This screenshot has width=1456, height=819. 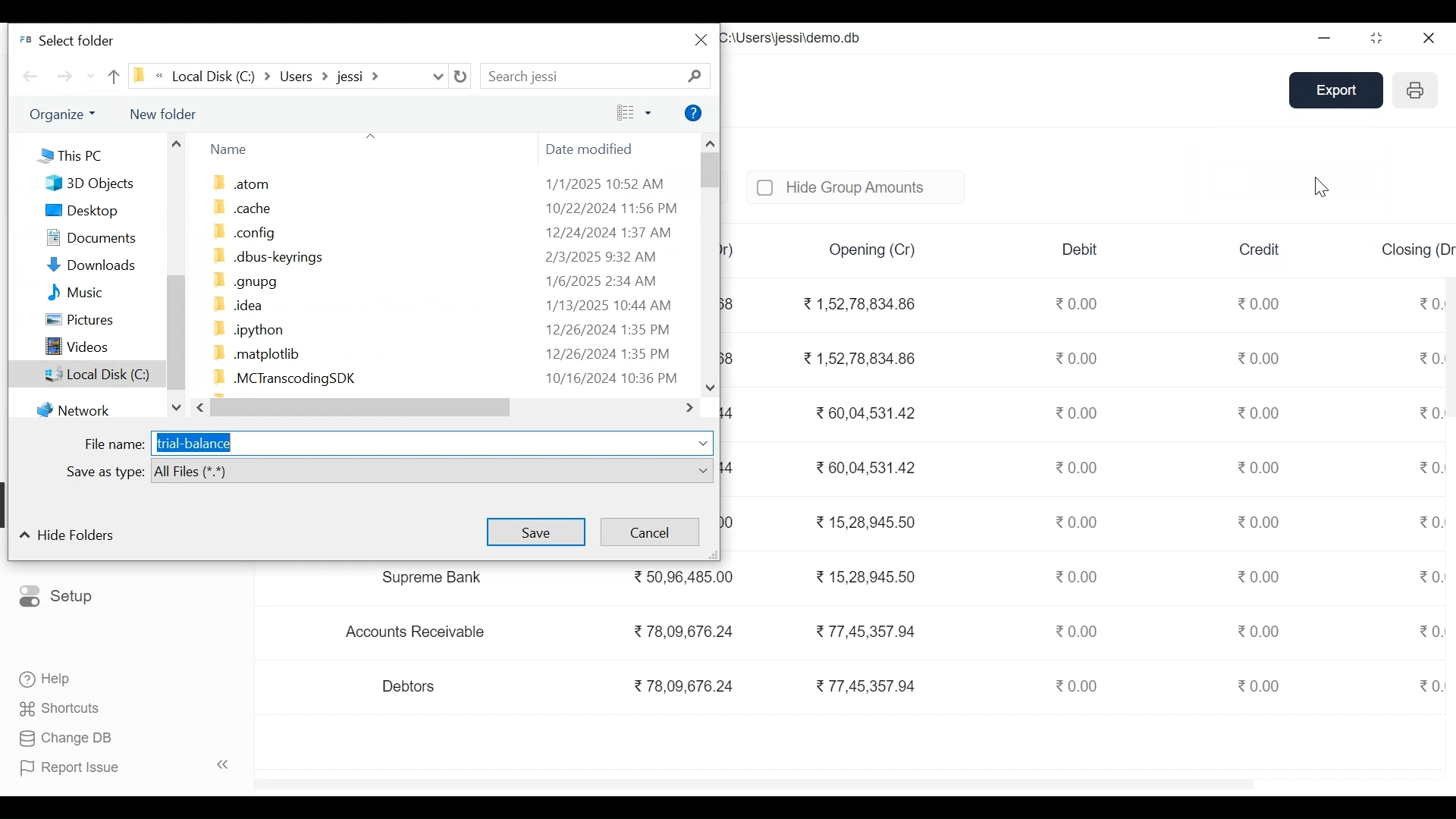 I want to click on Shortcuts, so click(x=61, y=708).